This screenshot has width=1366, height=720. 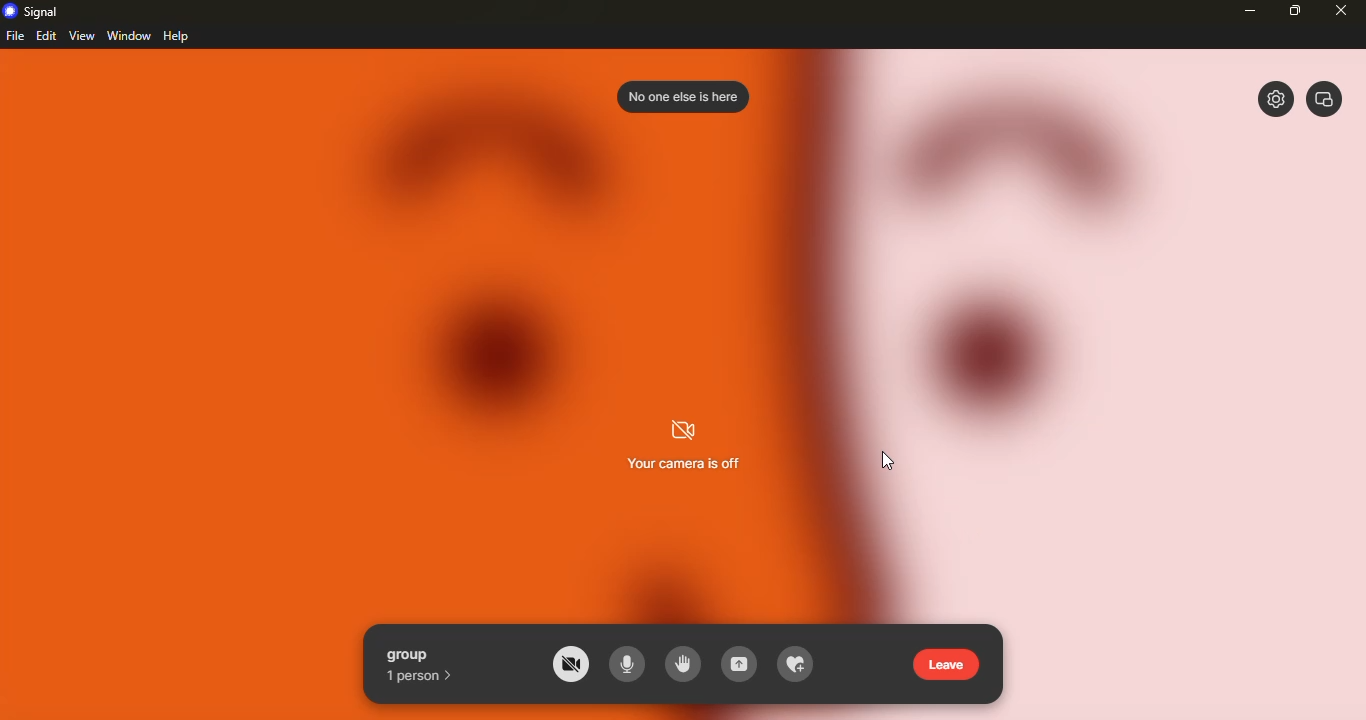 What do you see at coordinates (796, 665) in the screenshot?
I see `add to favorite` at bounding box center [796, 665].